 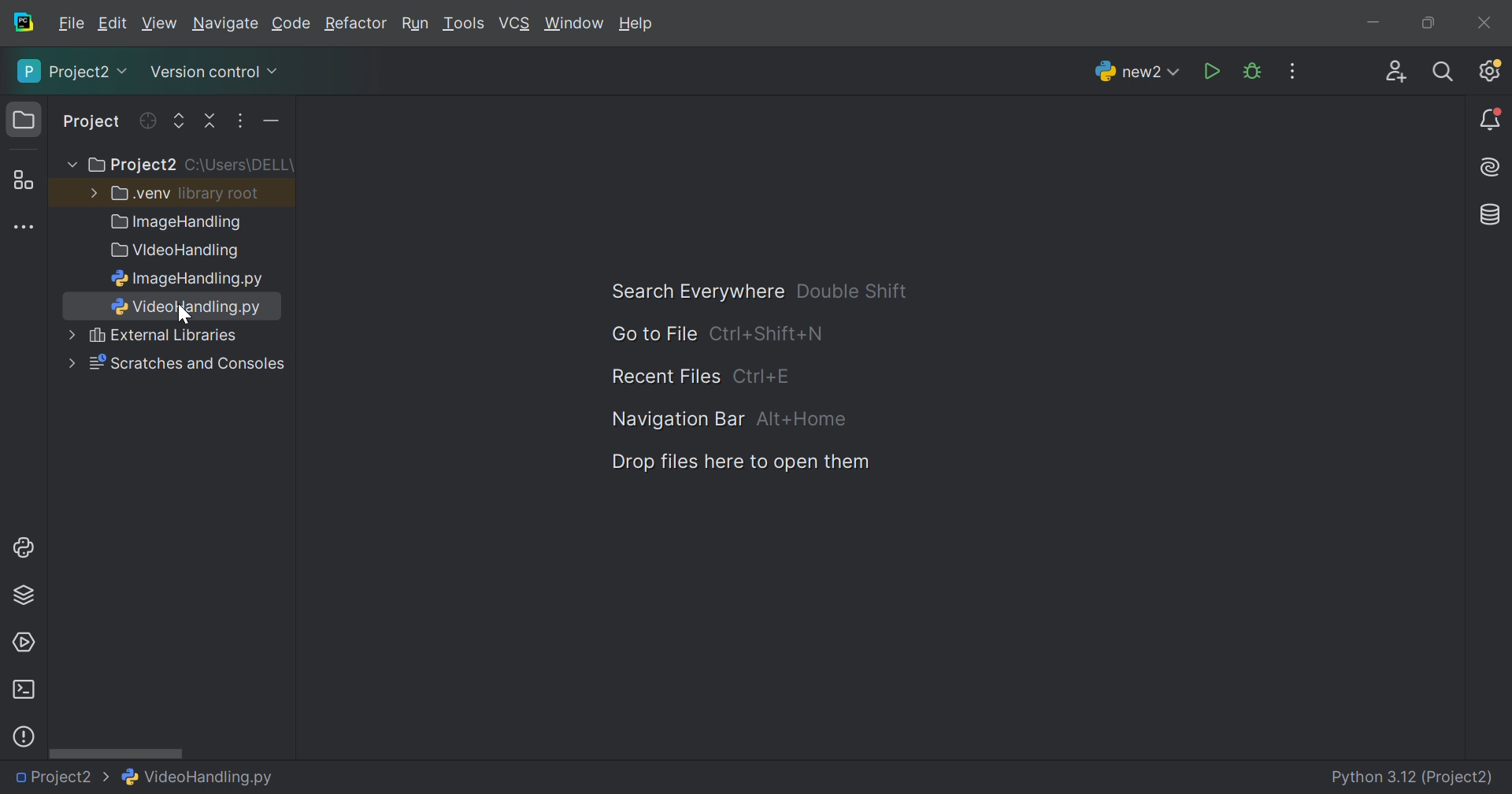 I want to click on Python packages, so click(x=24, y=594).